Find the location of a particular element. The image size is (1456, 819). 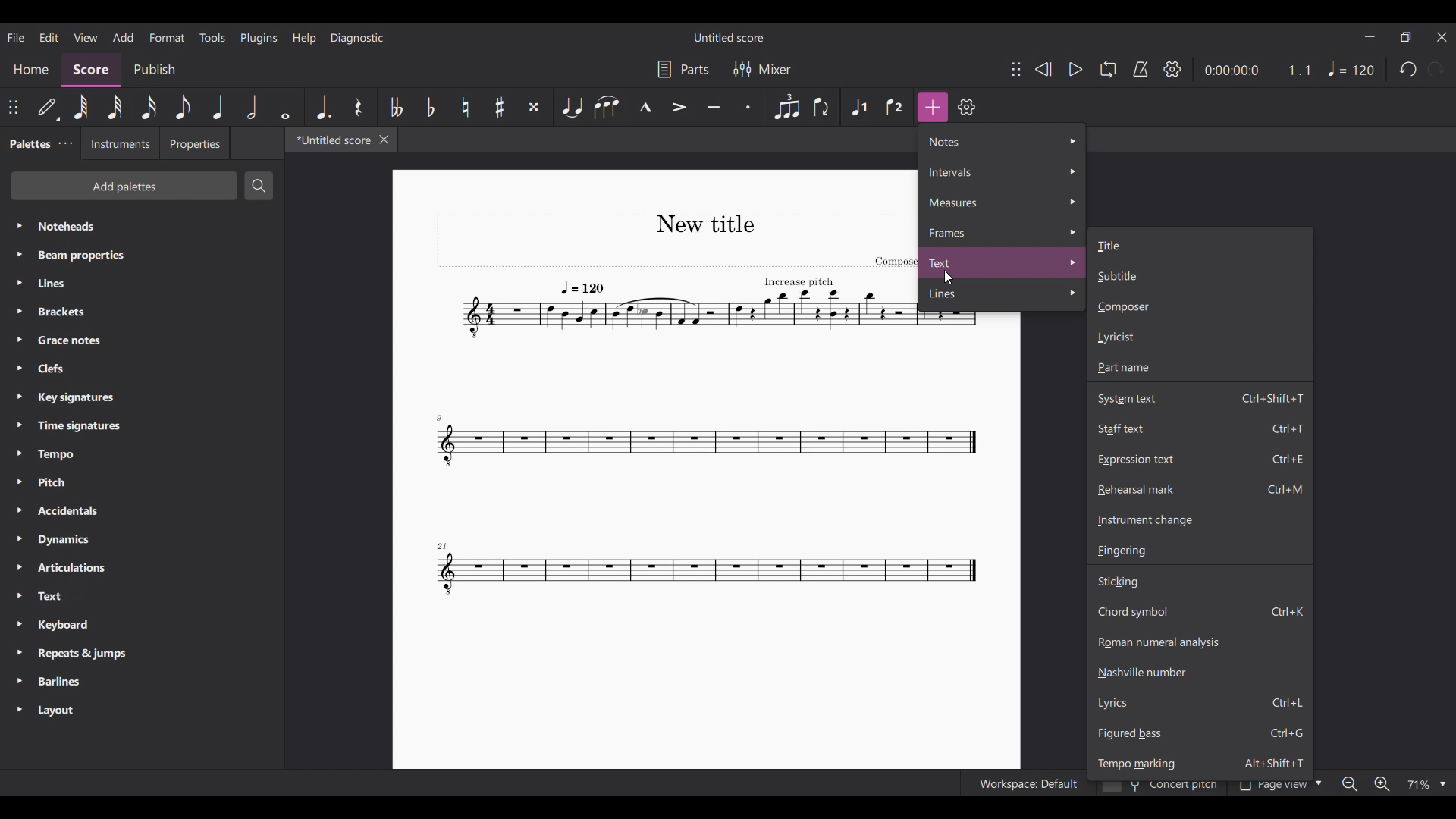

Tenuto is located at coordinates (714, 108).